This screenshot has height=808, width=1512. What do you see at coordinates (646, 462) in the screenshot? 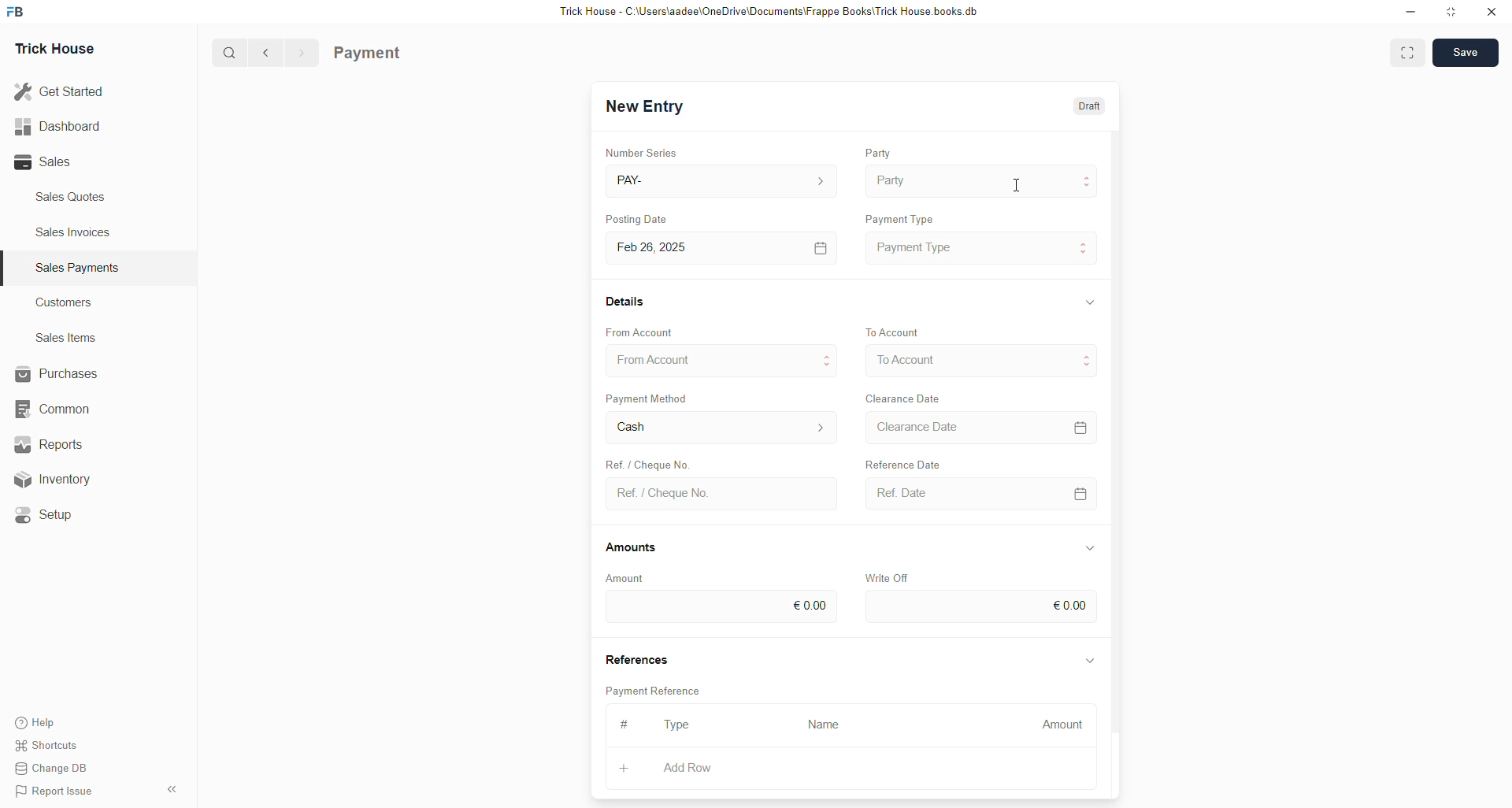
I see `Ref. / Cheque No.` at bounding box center [646, 462].